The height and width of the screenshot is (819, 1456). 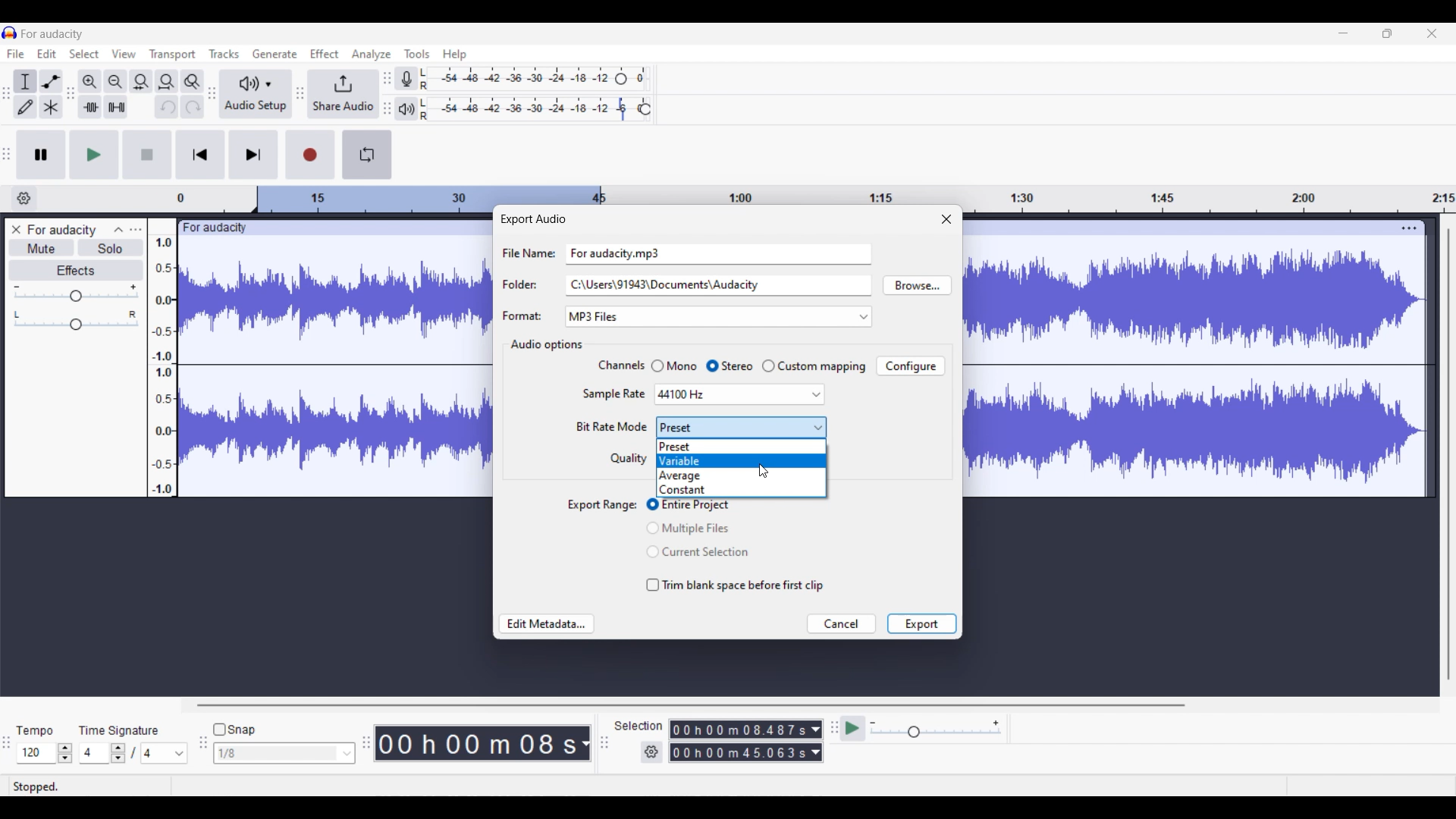 I want to click on Trim audio outside selection, so click(x=90, y=107).